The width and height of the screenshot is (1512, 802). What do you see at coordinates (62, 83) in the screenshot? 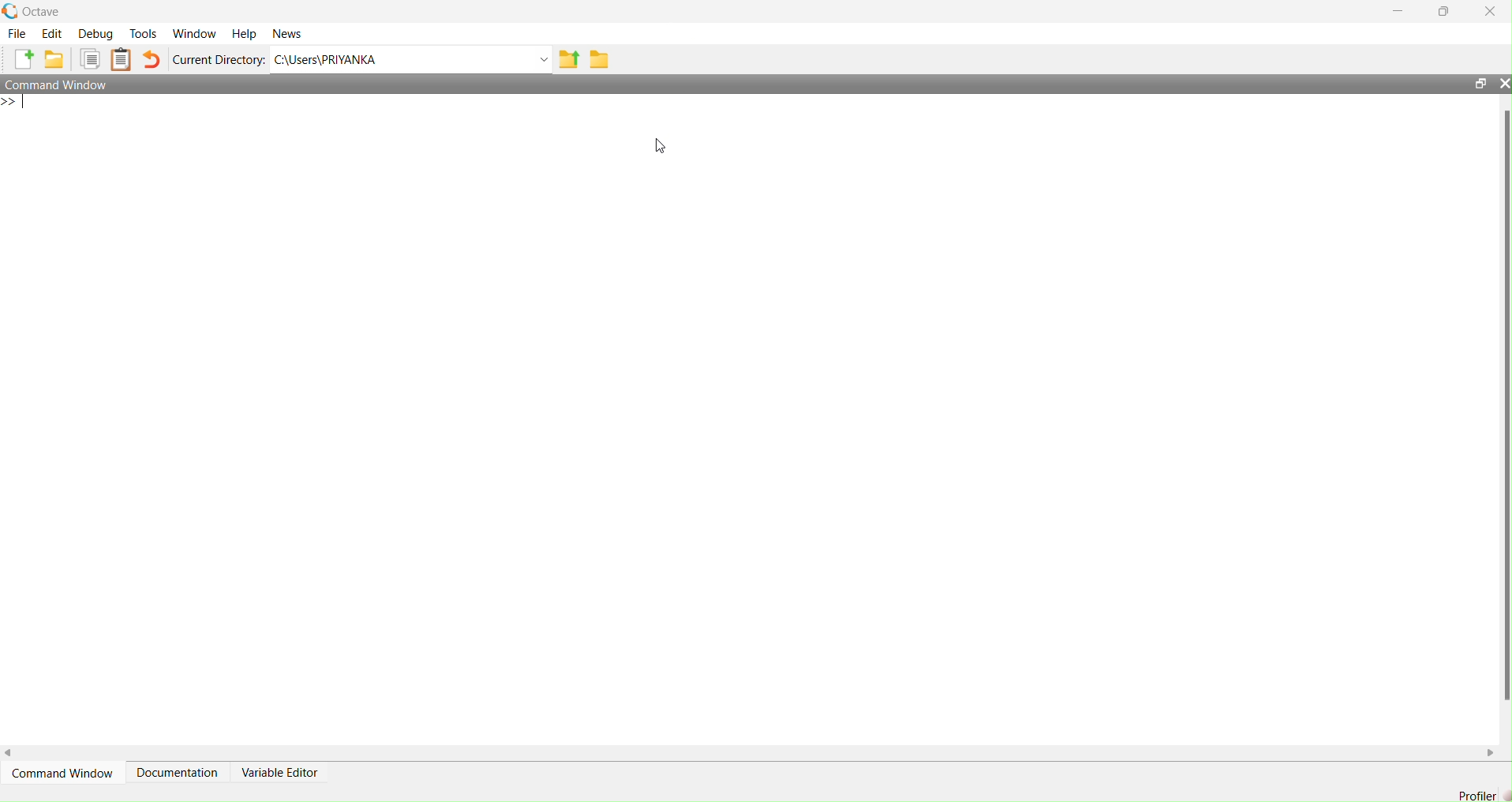
I see `Command Window` at bounding box center [62, 83].